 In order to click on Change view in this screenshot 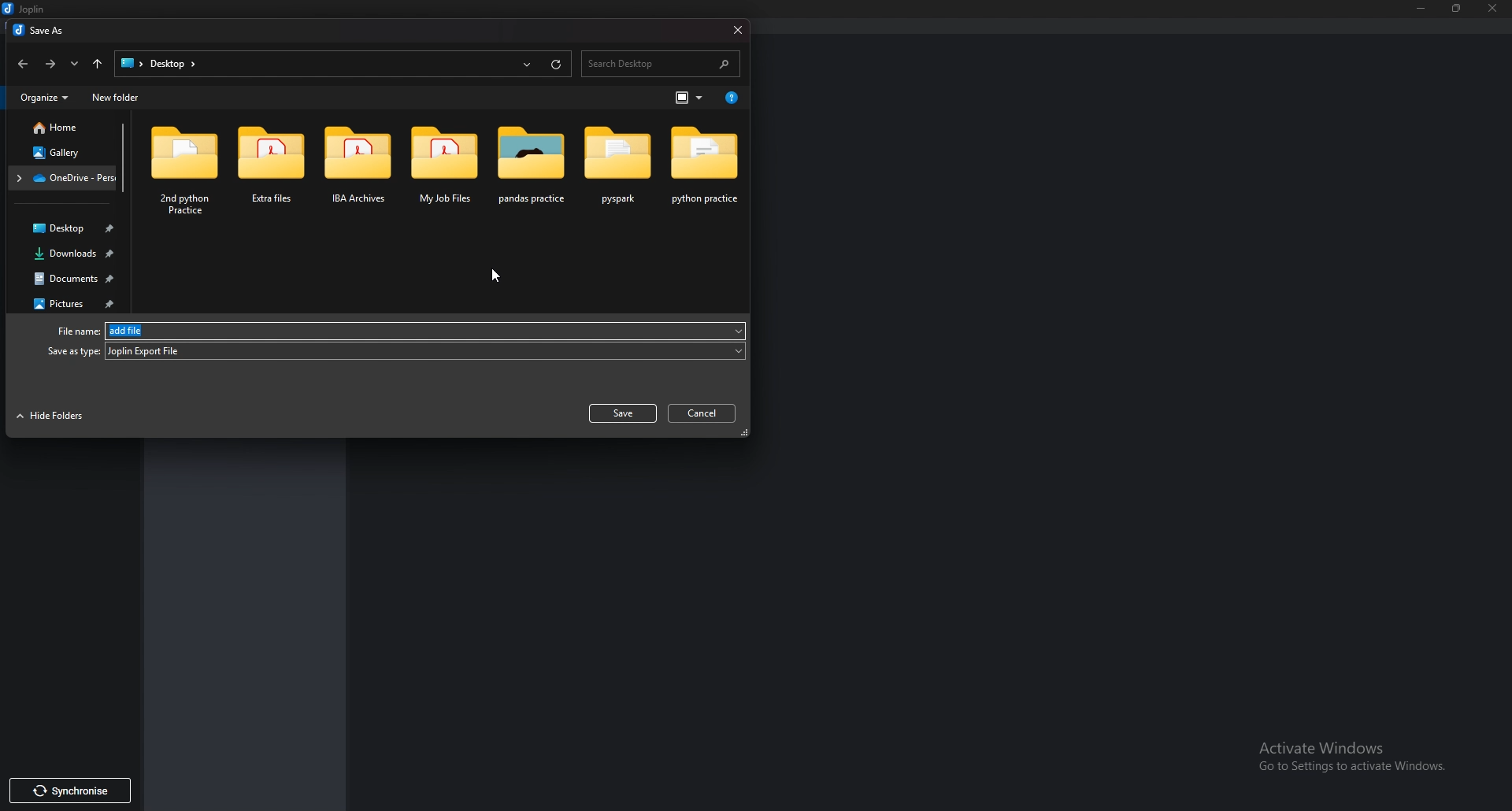, I will do `click(690, 98)`.